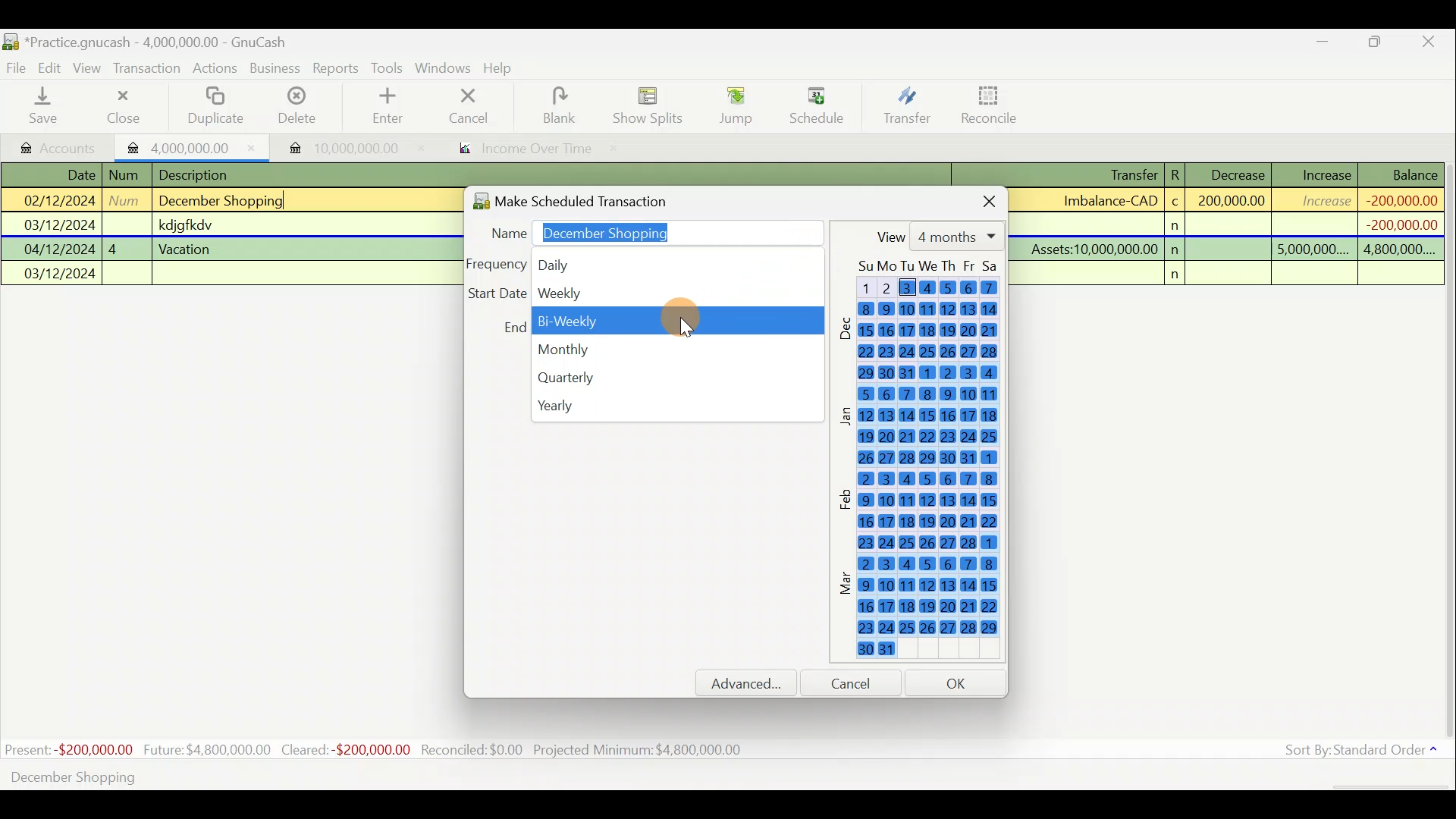 This screenshot has width=1456, height=819. Describe the element at coordinates (652, 105) in the screenshot. I see `Show splits` at that location.